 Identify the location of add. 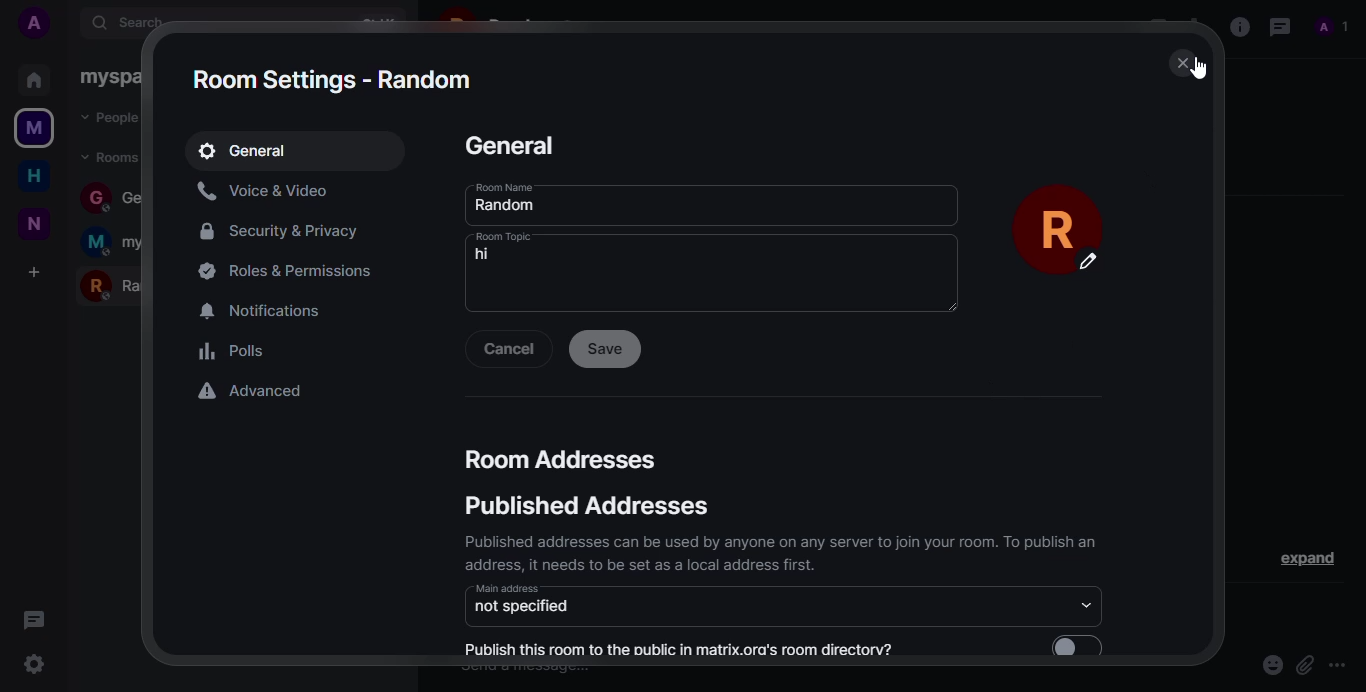
(35, 271).